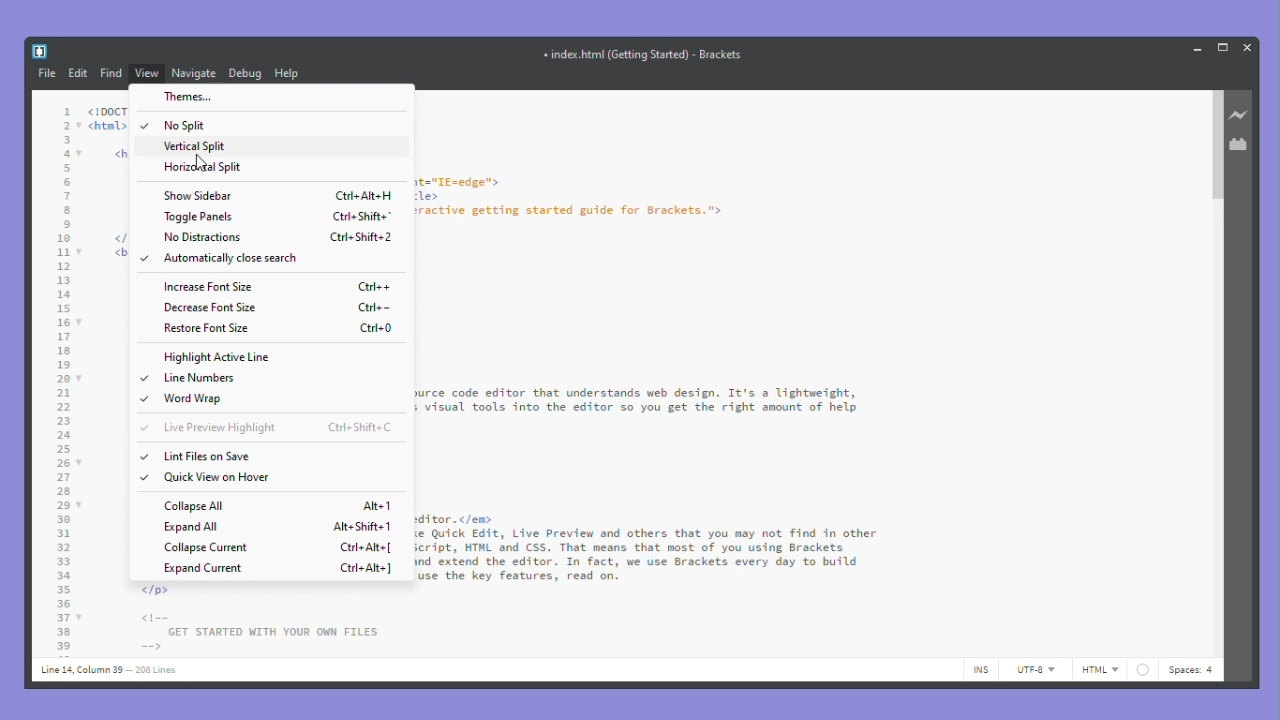 The width and height of the screenshot is (1280, 720). I want to click on 20, so click(63, 379).